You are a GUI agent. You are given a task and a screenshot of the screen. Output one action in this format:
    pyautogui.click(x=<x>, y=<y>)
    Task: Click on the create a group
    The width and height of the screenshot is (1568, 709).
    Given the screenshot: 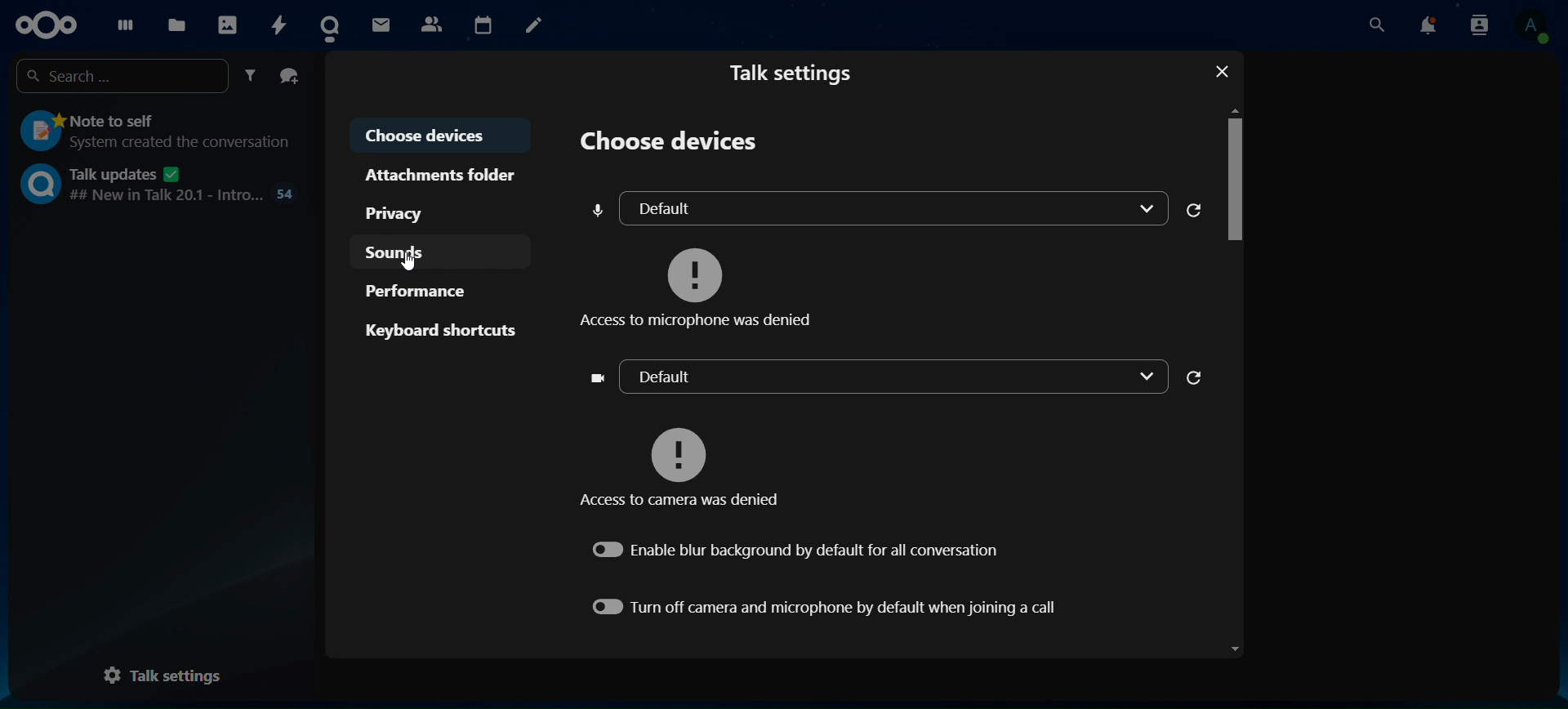 What is the action you would take?
    pyautogui.click(x=291, y=77)
    